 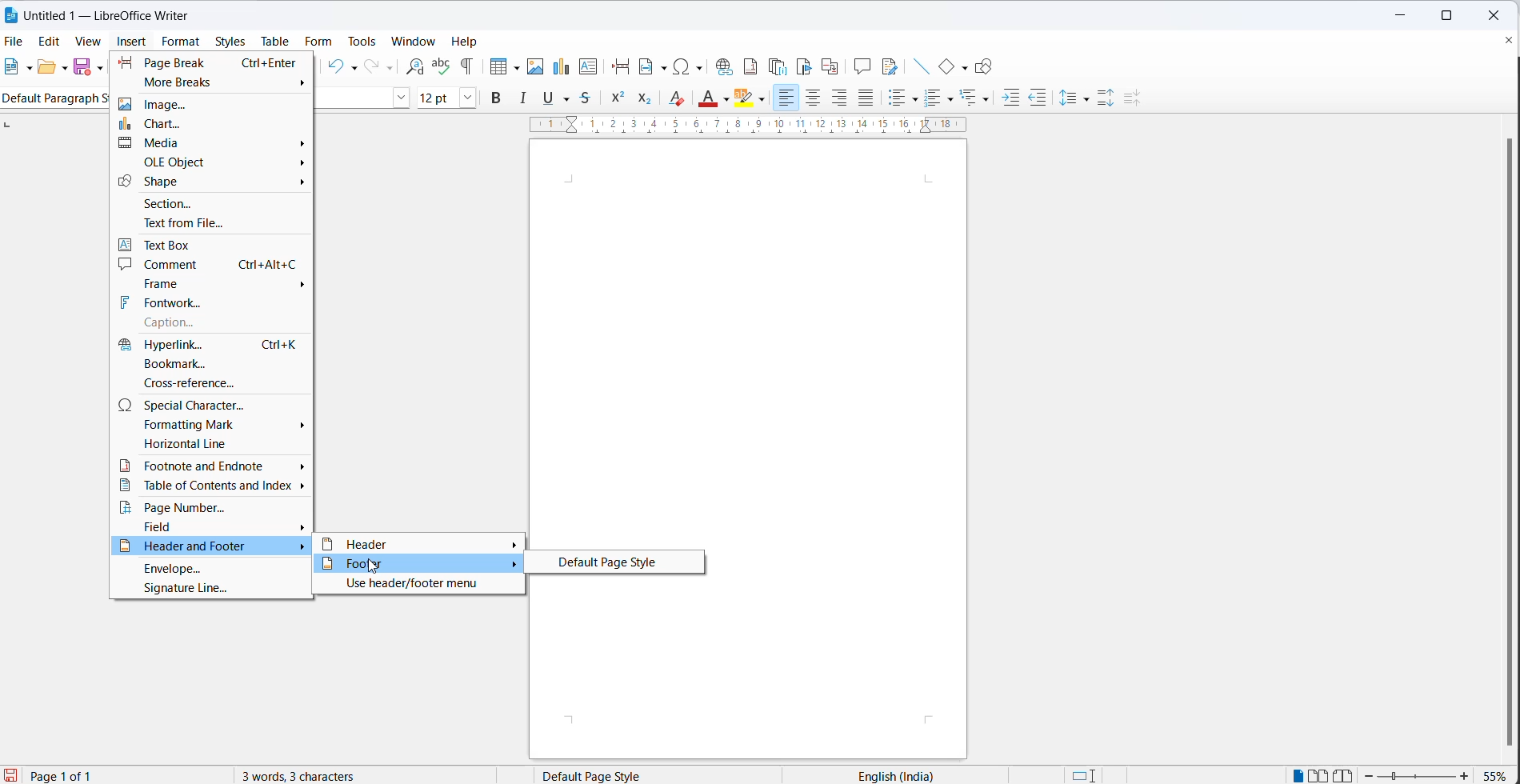 I want to click on italic, so click(x=524, y=99).